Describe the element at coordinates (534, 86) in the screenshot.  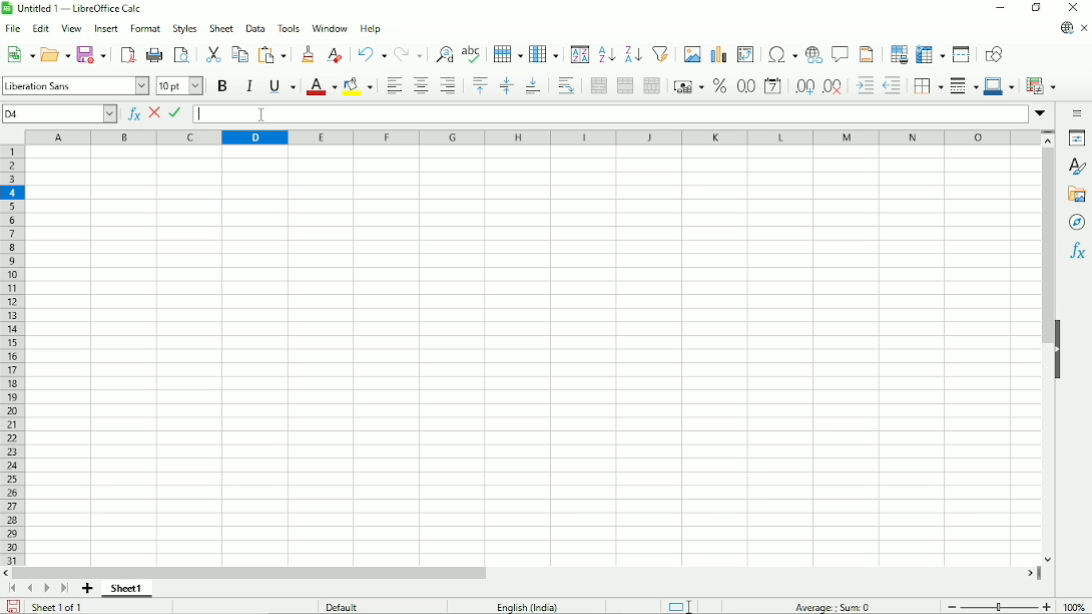
I see `Align bottom` at that location.